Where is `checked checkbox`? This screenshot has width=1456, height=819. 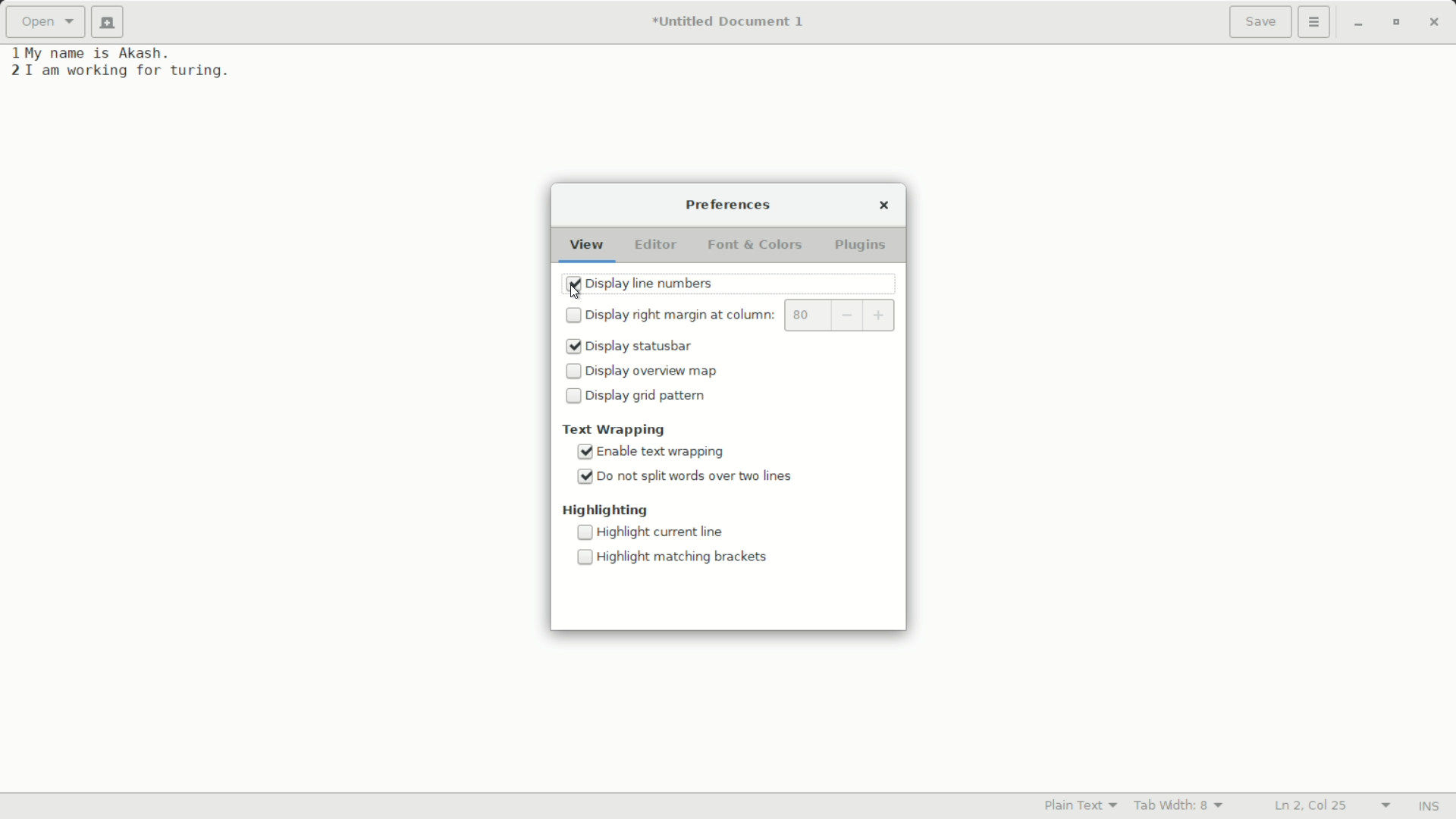
checked checkbox is located at coordinates (584, 452).